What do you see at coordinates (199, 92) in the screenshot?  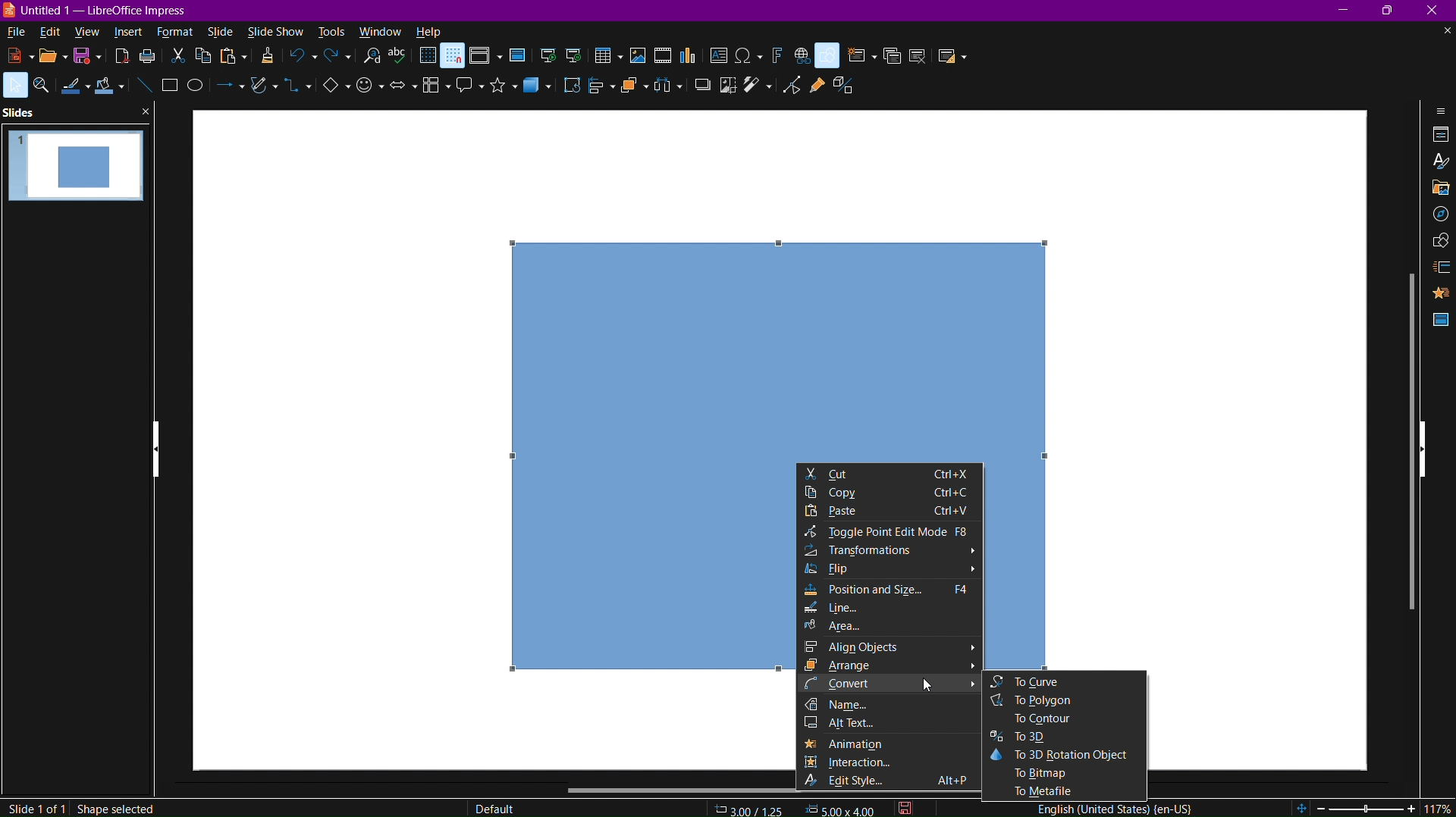 I see `Ellipse` at bounding box center [199, 92].